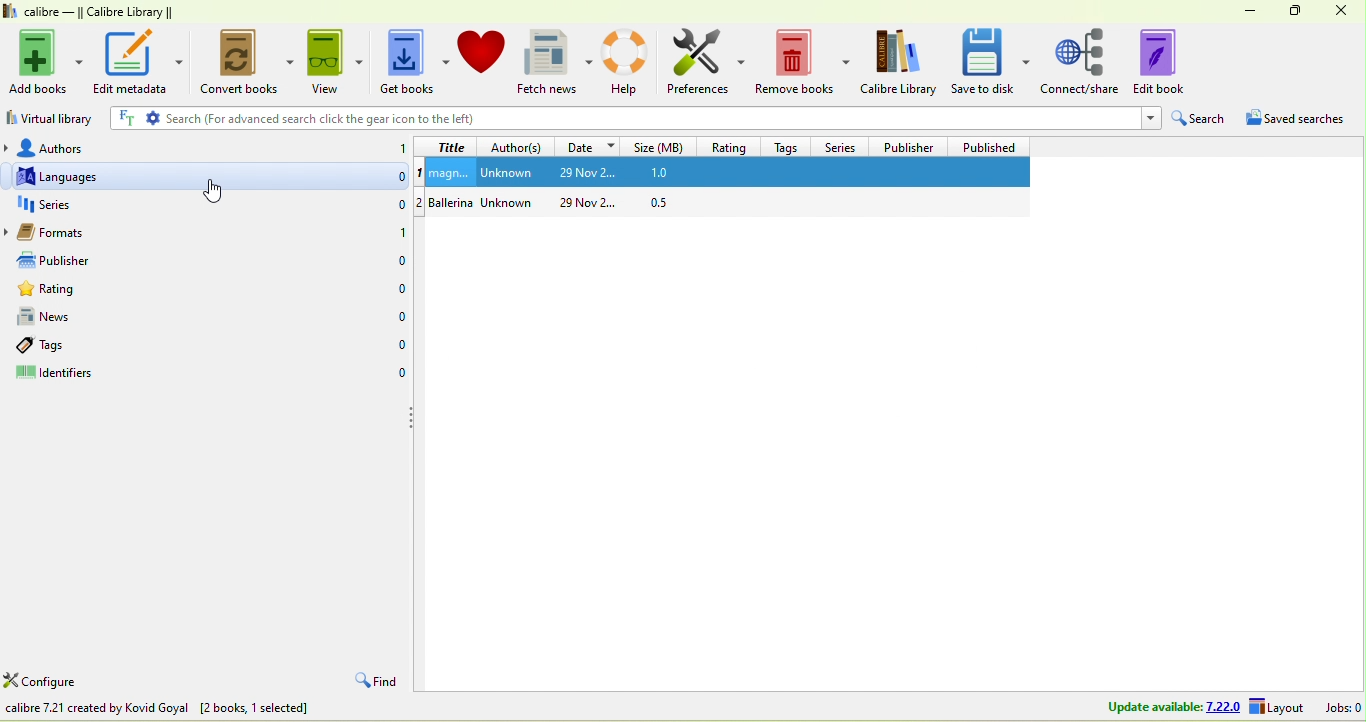  I want to click on published, so click(985, 147).